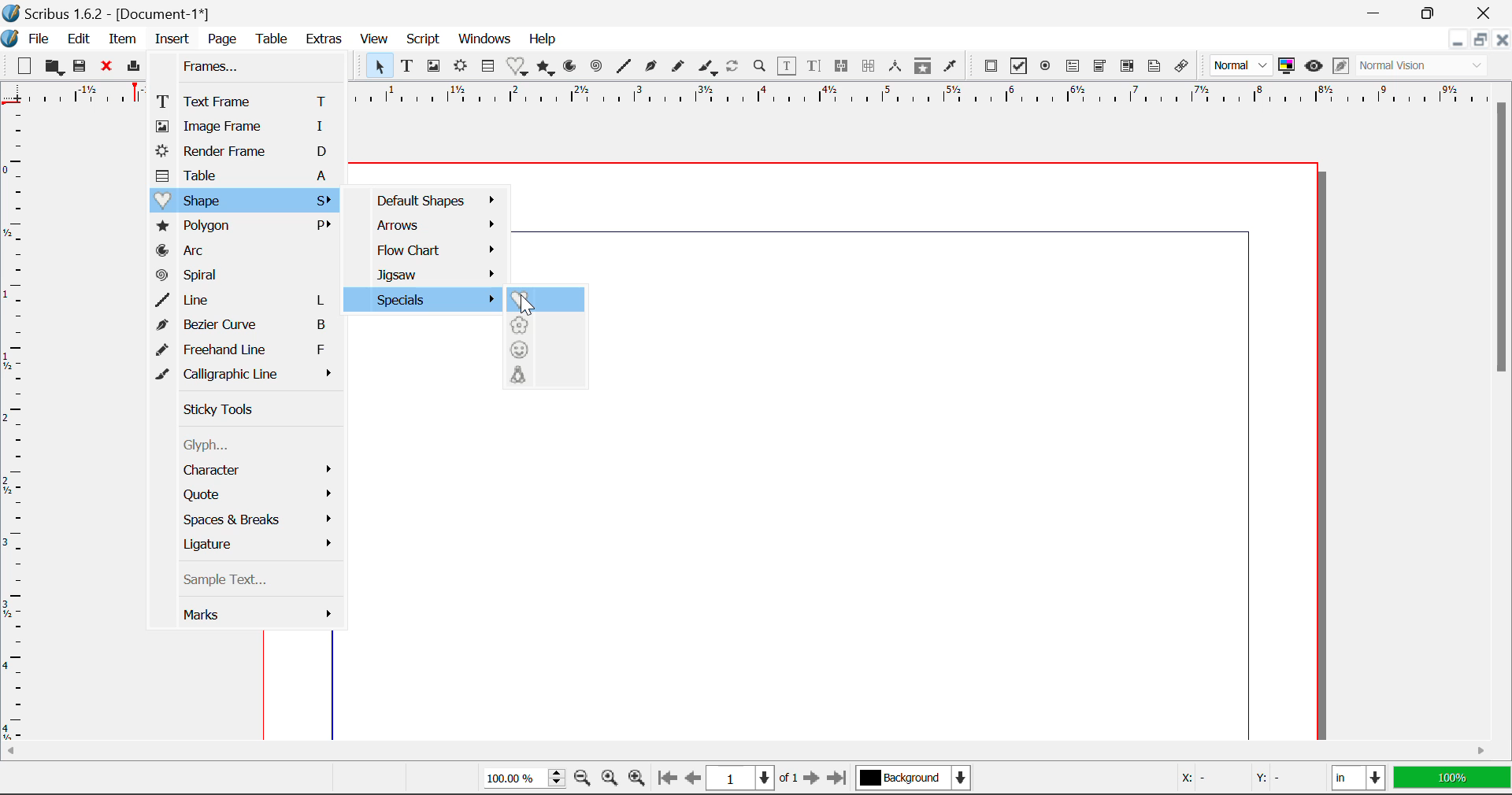 The height and width of the screenshot is (795, 1512). I want to click on Pdf List box, so click(1128, 68).